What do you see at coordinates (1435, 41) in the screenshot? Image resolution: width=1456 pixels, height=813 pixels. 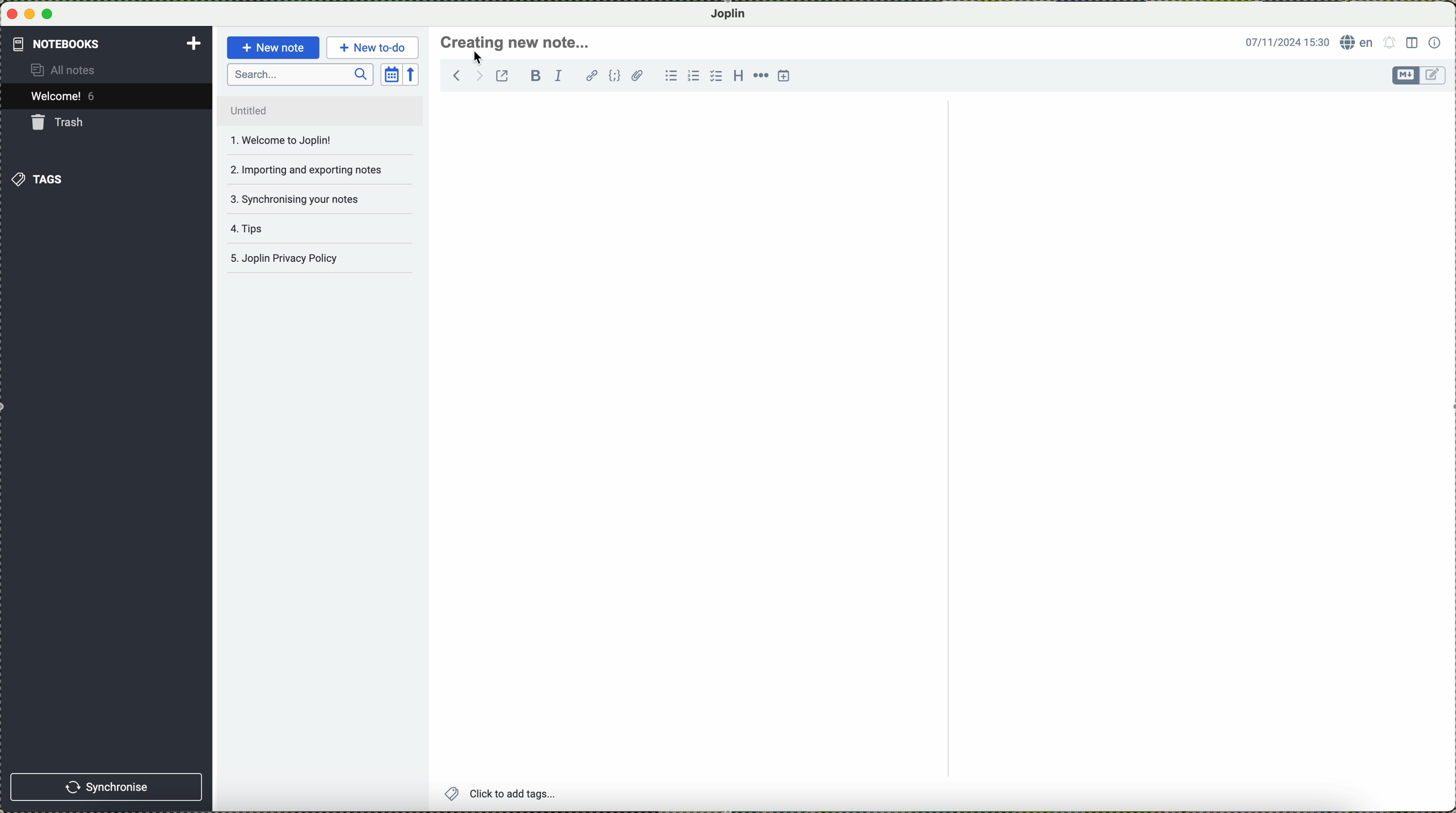 I see `note properties` at bounding box center [1435, 41].